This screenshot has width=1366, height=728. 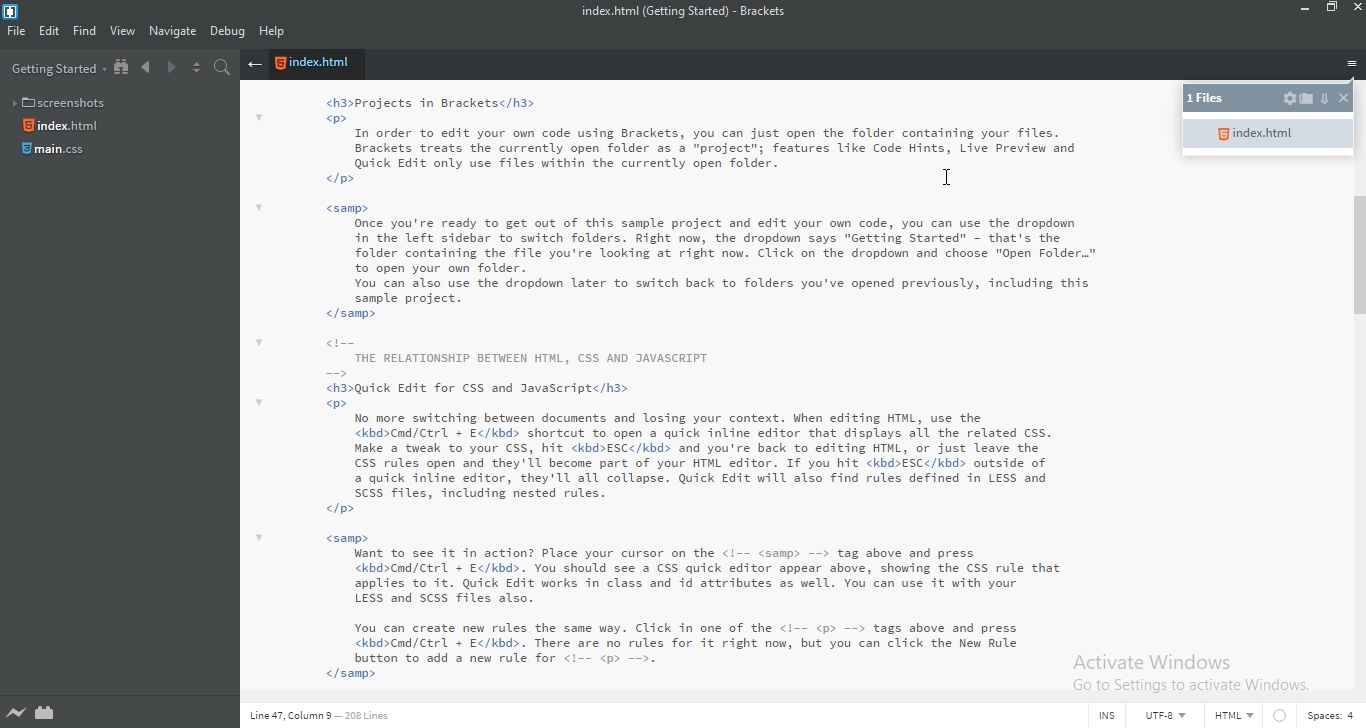 What do you see at coordinates (225, 69) in the screenshot?
I see `Find in files` at bounding box center [225, 69].